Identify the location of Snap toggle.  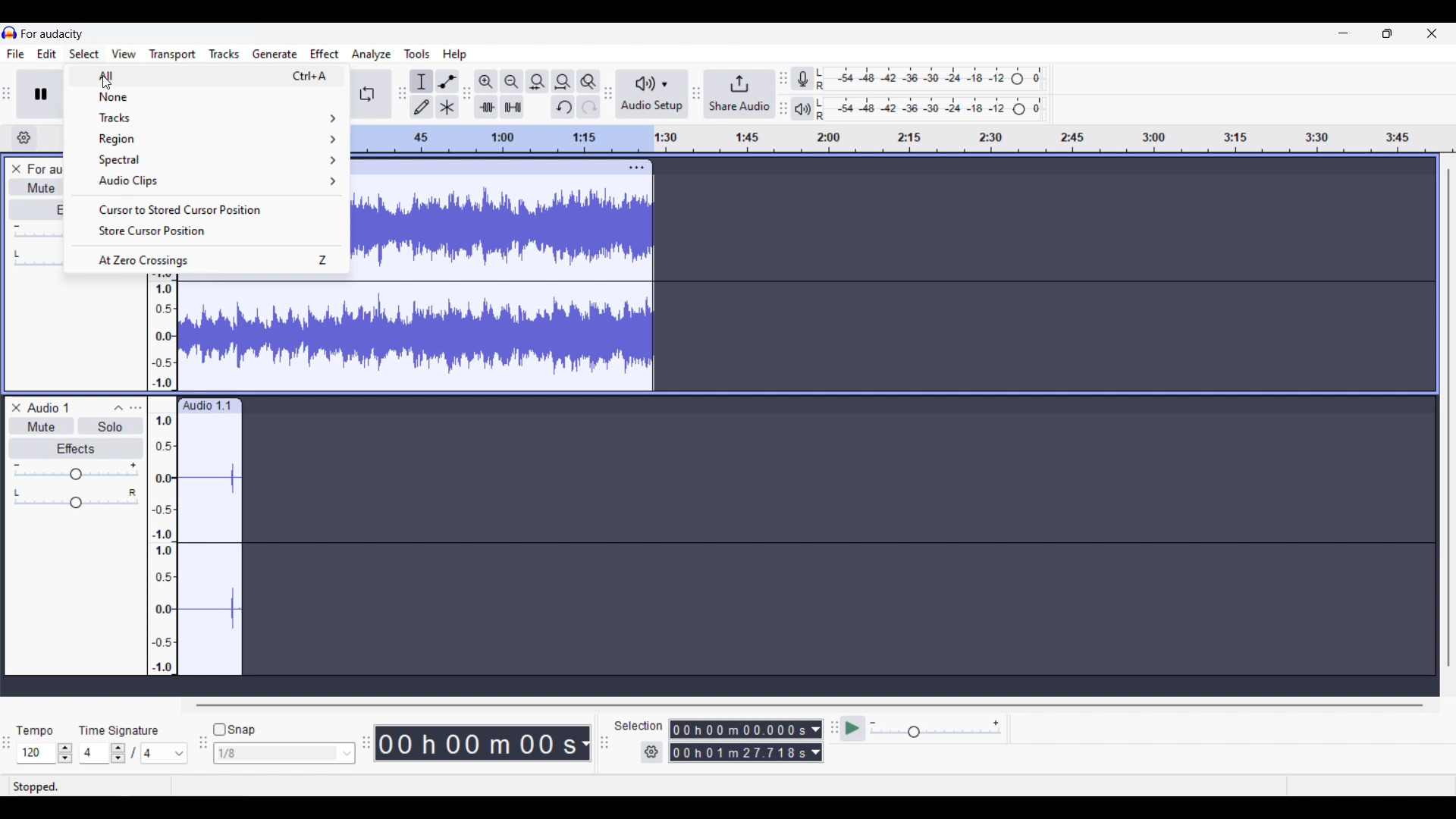
(234, 730).